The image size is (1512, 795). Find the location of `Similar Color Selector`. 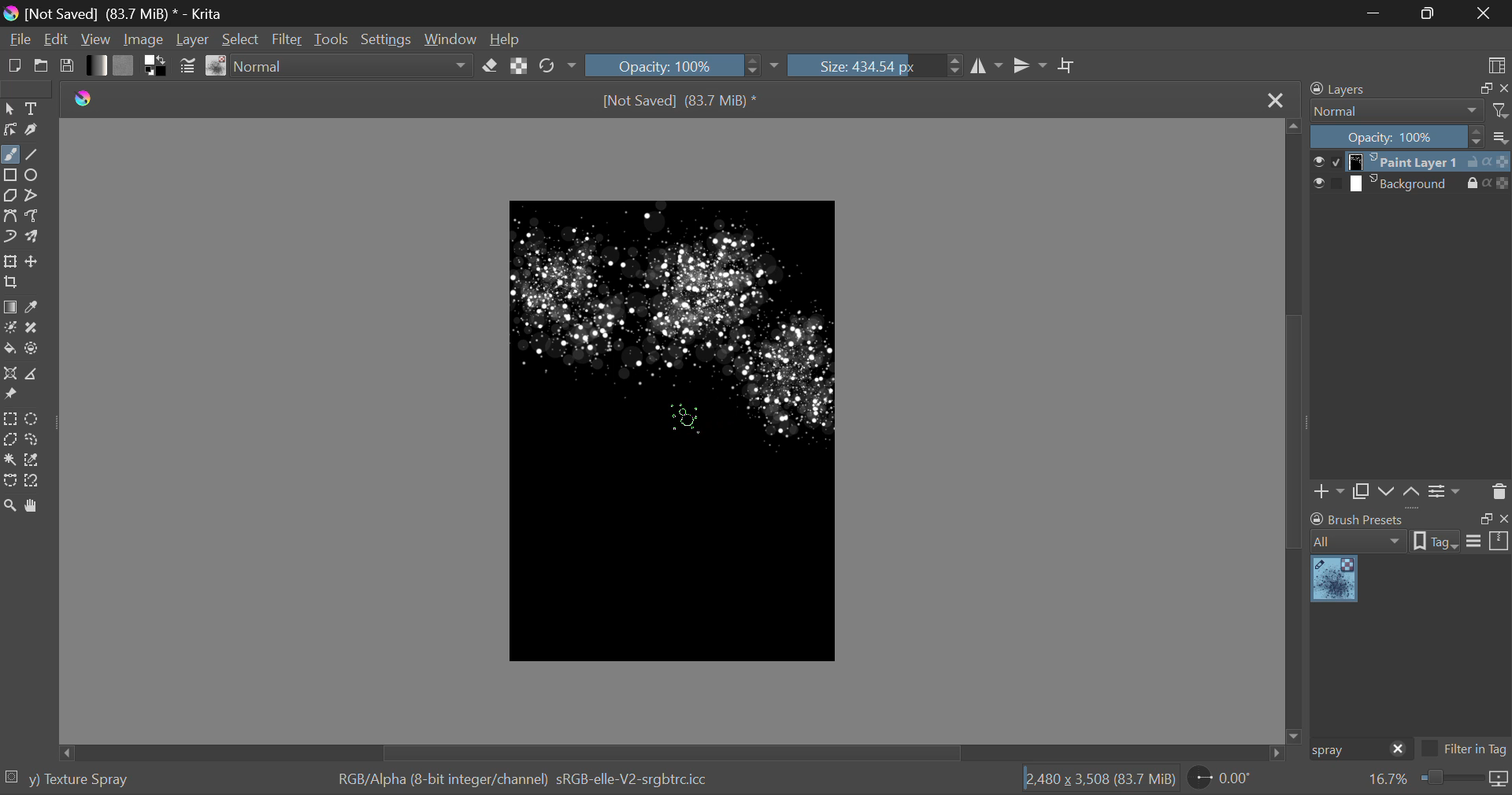

Similar Color Selector is located at coordinates (35, 460).